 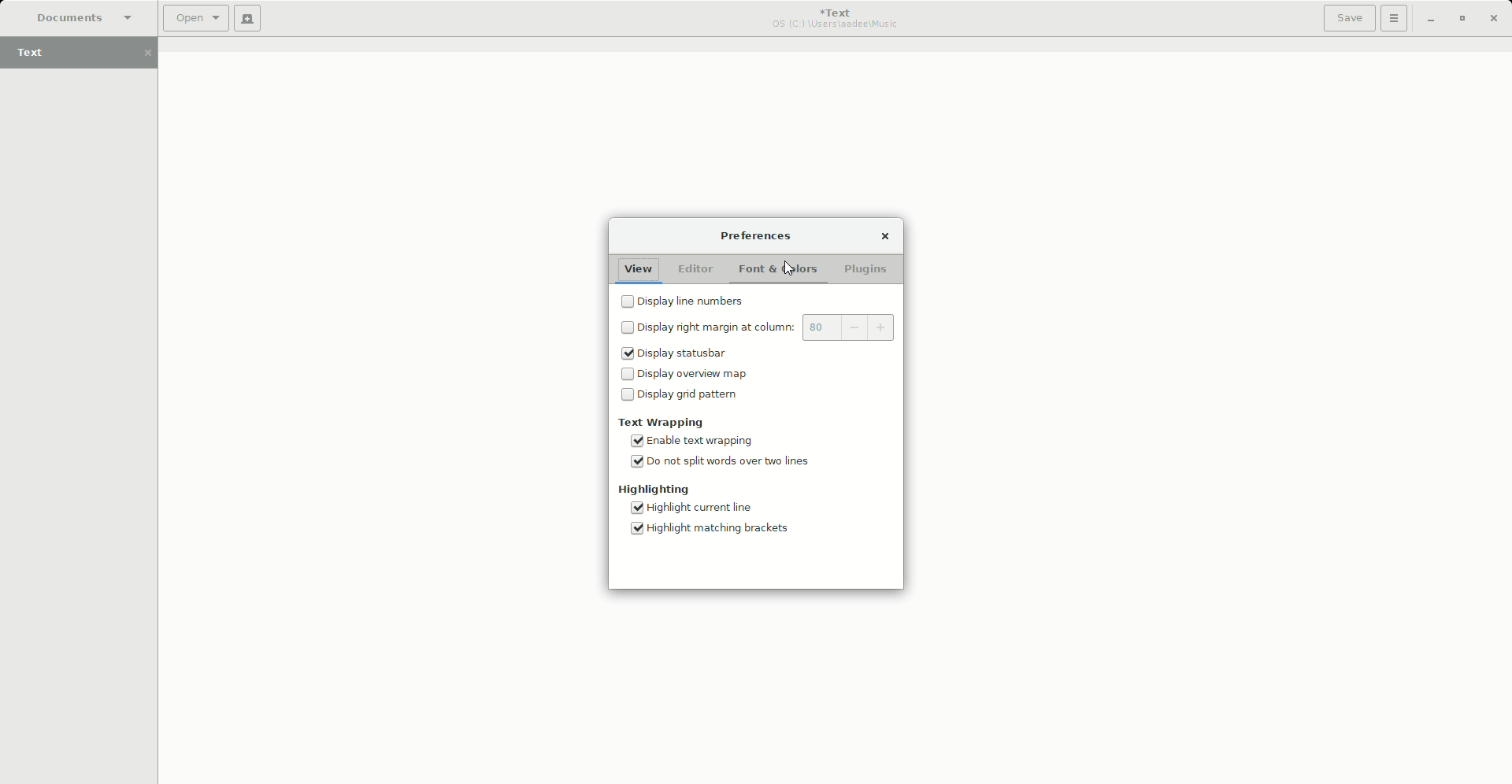 I want to click on Options, so click(x=1395, y=18).